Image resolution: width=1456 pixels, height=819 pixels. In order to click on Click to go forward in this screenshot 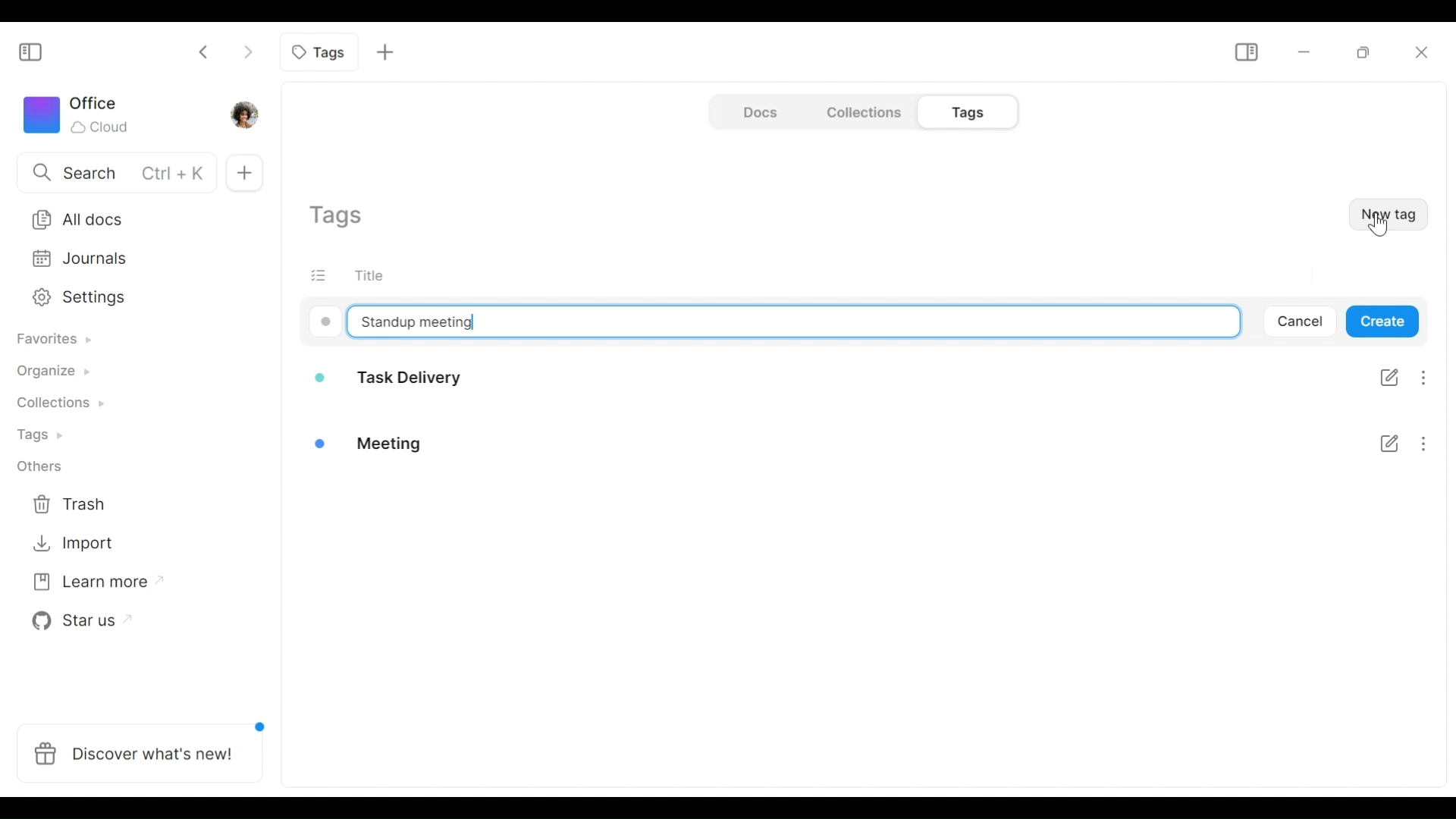, I will do `click(244, 52)`.